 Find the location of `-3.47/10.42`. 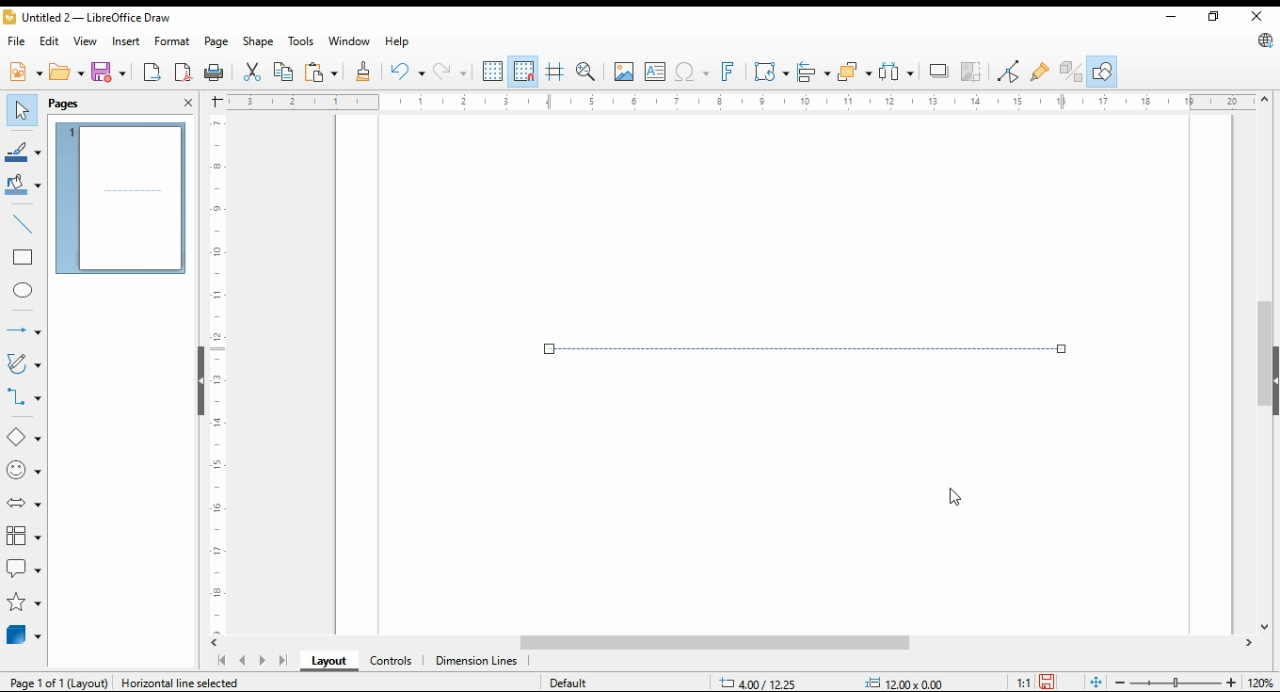

-3.47/10.42 is located at coordinates (760, 683).